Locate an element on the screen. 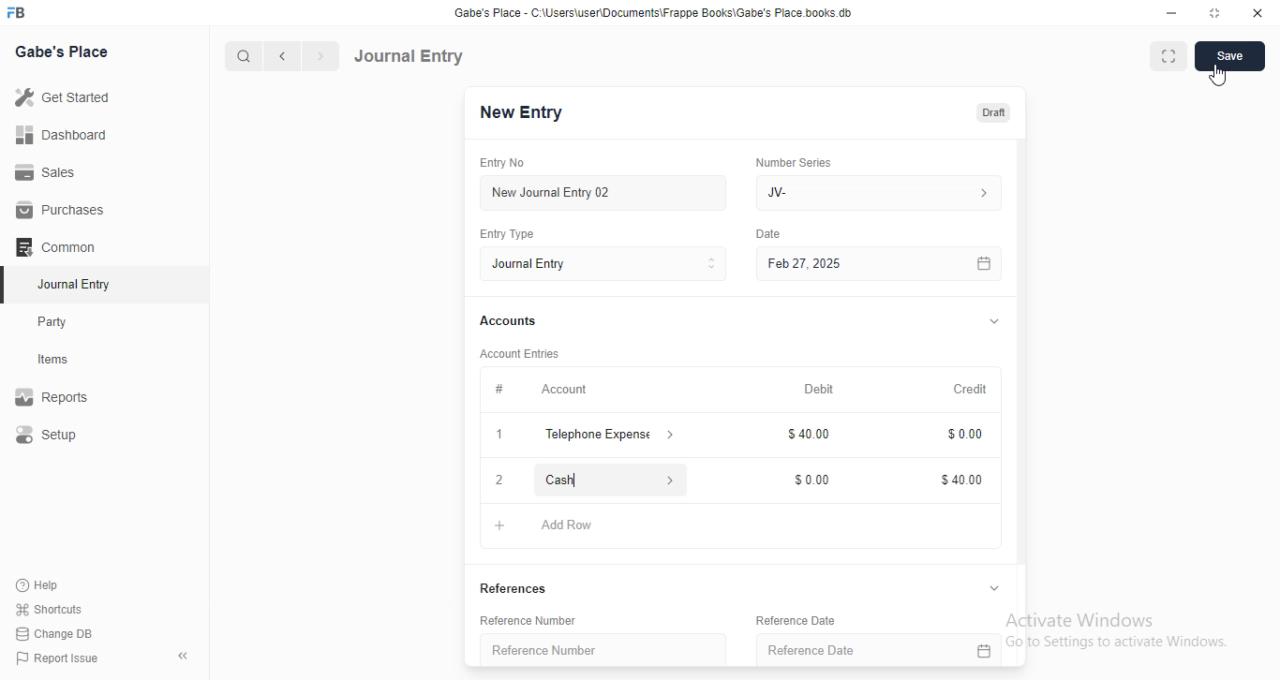 The image size is (1280, 680). 0.00 is located at coordinates (807, 480).